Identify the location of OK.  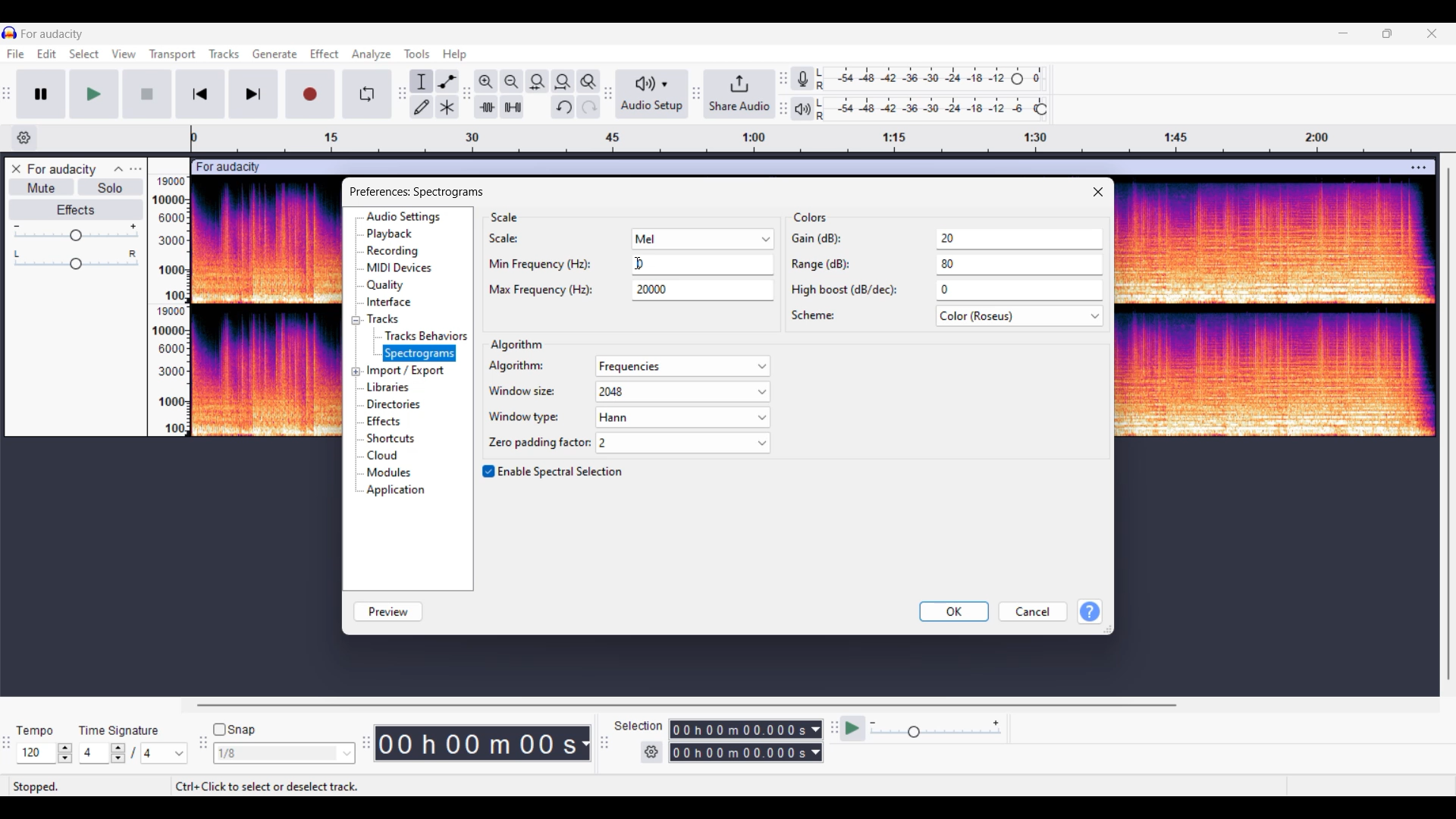
(954, 611).